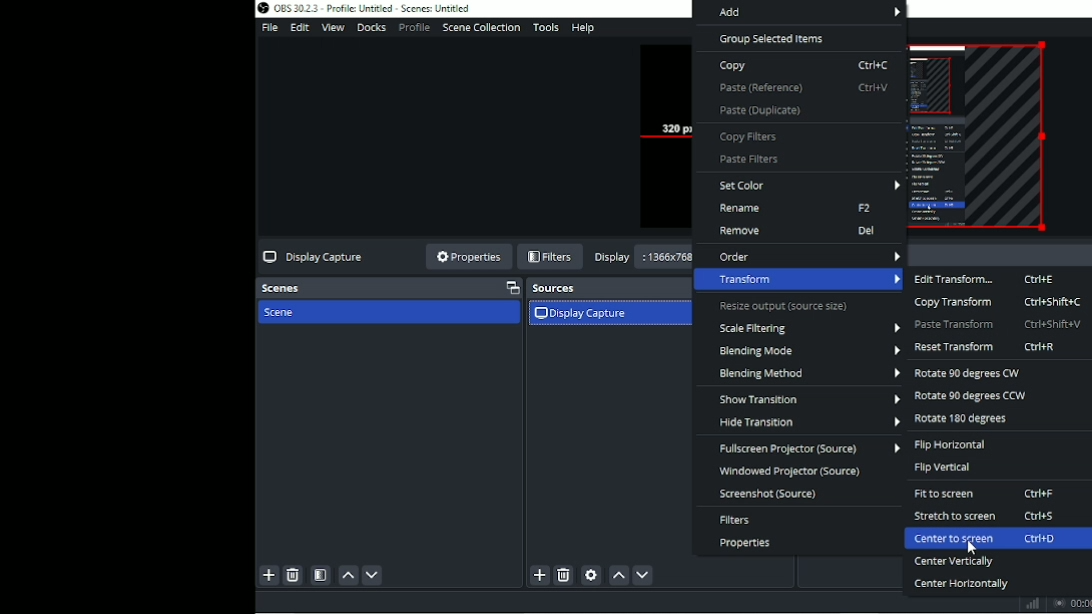 Image resolution: width=1092 pixels, height=614 pixels. What do you see at coordinates (998, 302) in the screenshot?
I see `Copy transform` at bounding box center [998, 302].